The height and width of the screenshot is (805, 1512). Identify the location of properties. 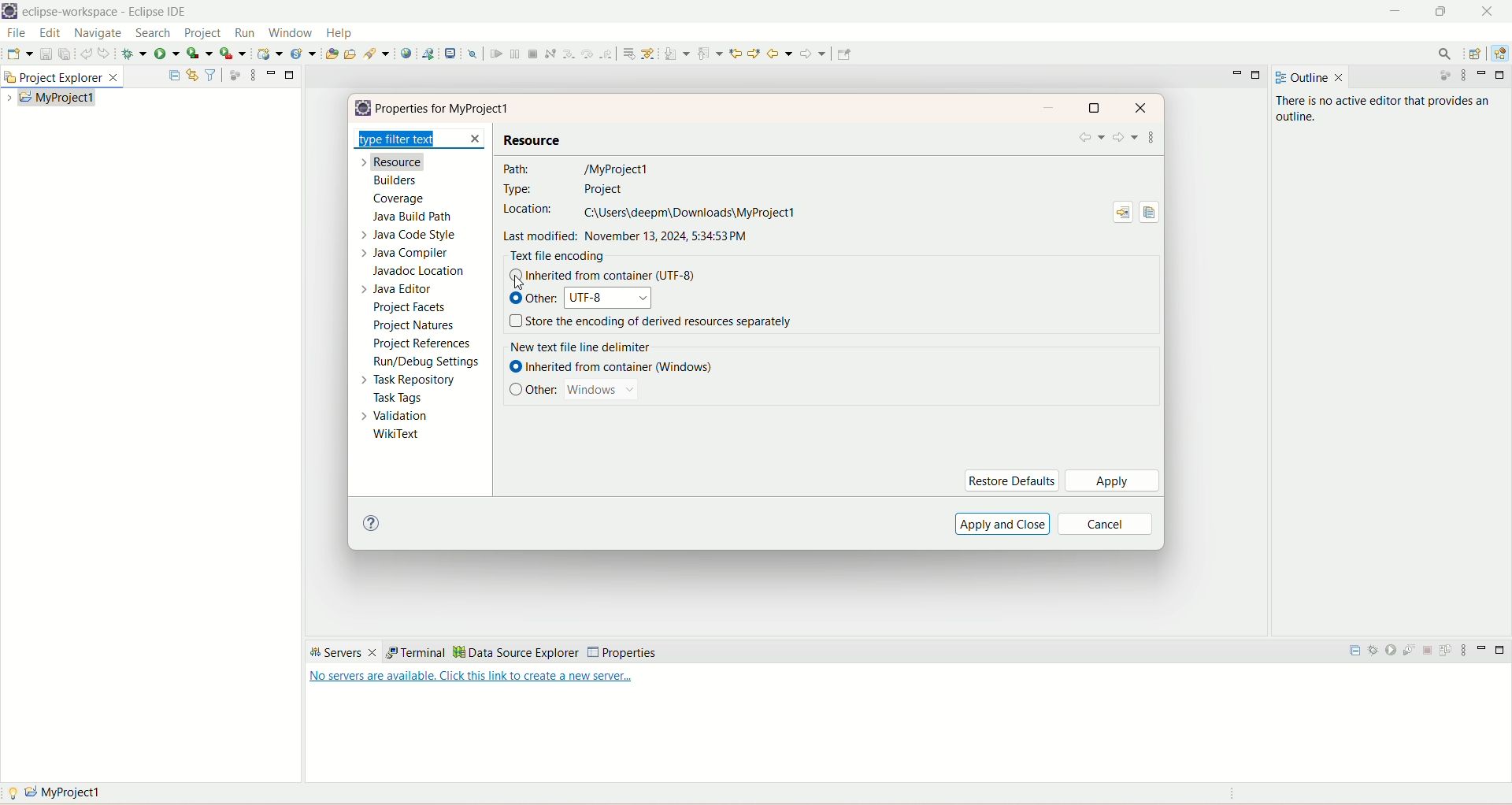
(447, 109).